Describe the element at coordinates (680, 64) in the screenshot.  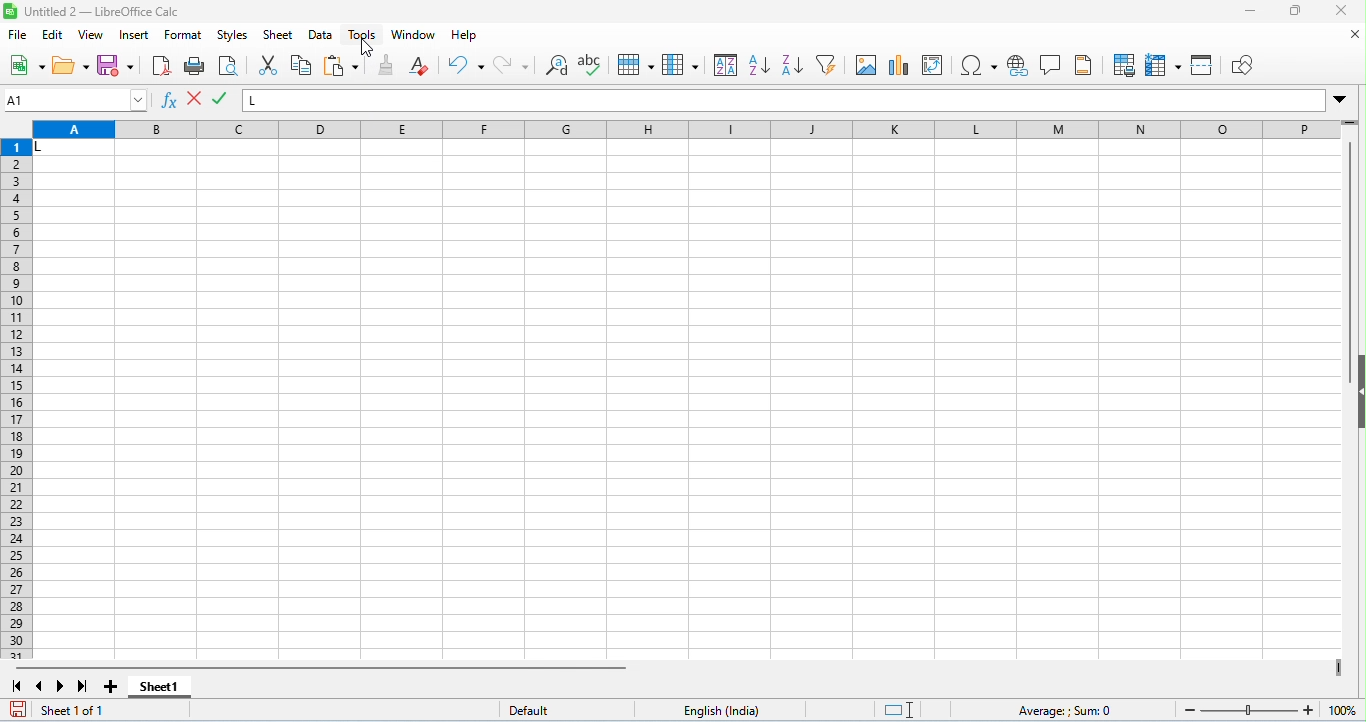
I see `column` at that location.